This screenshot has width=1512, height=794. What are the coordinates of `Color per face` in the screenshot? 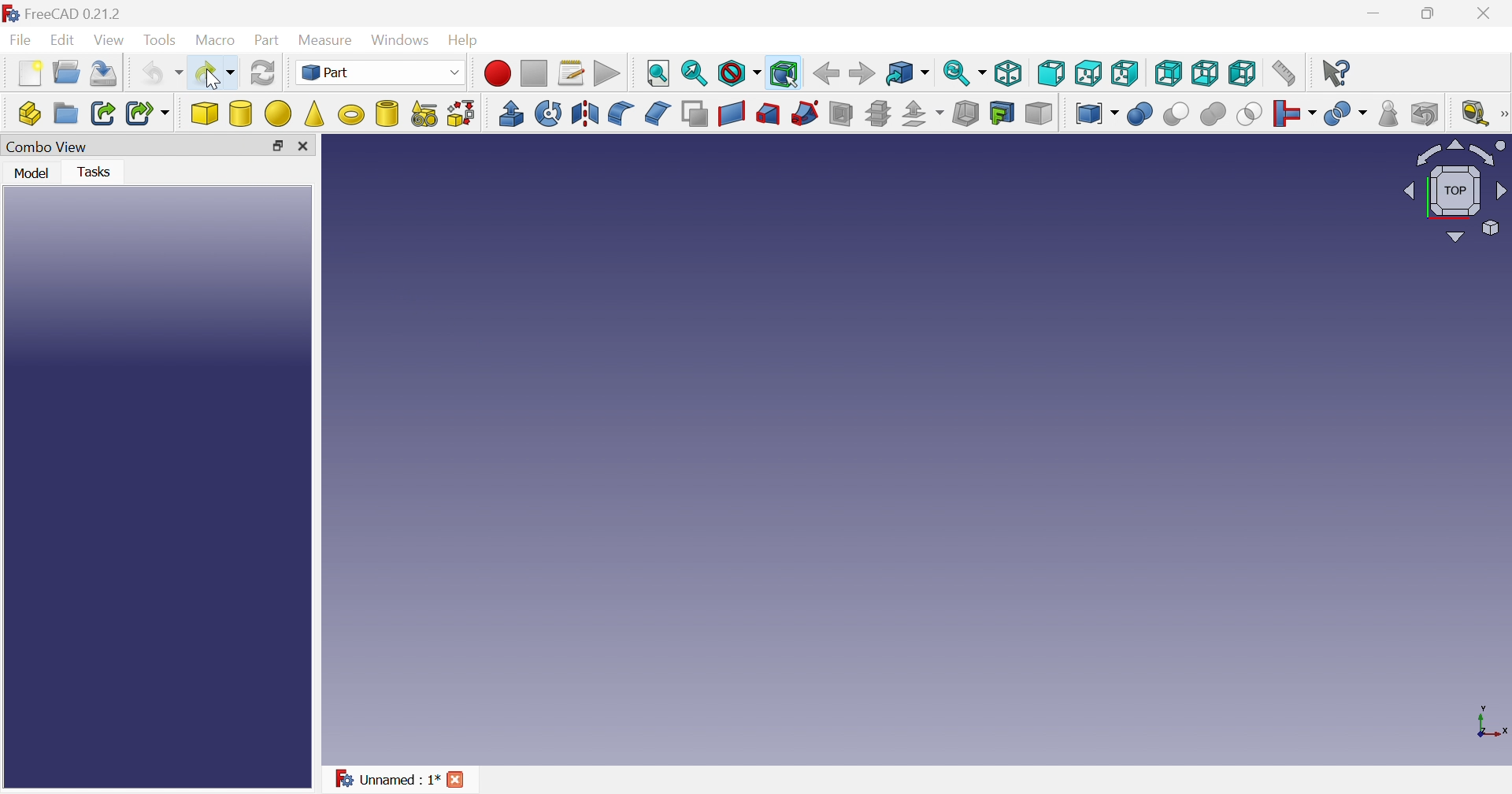 It's located at (1038, 112).